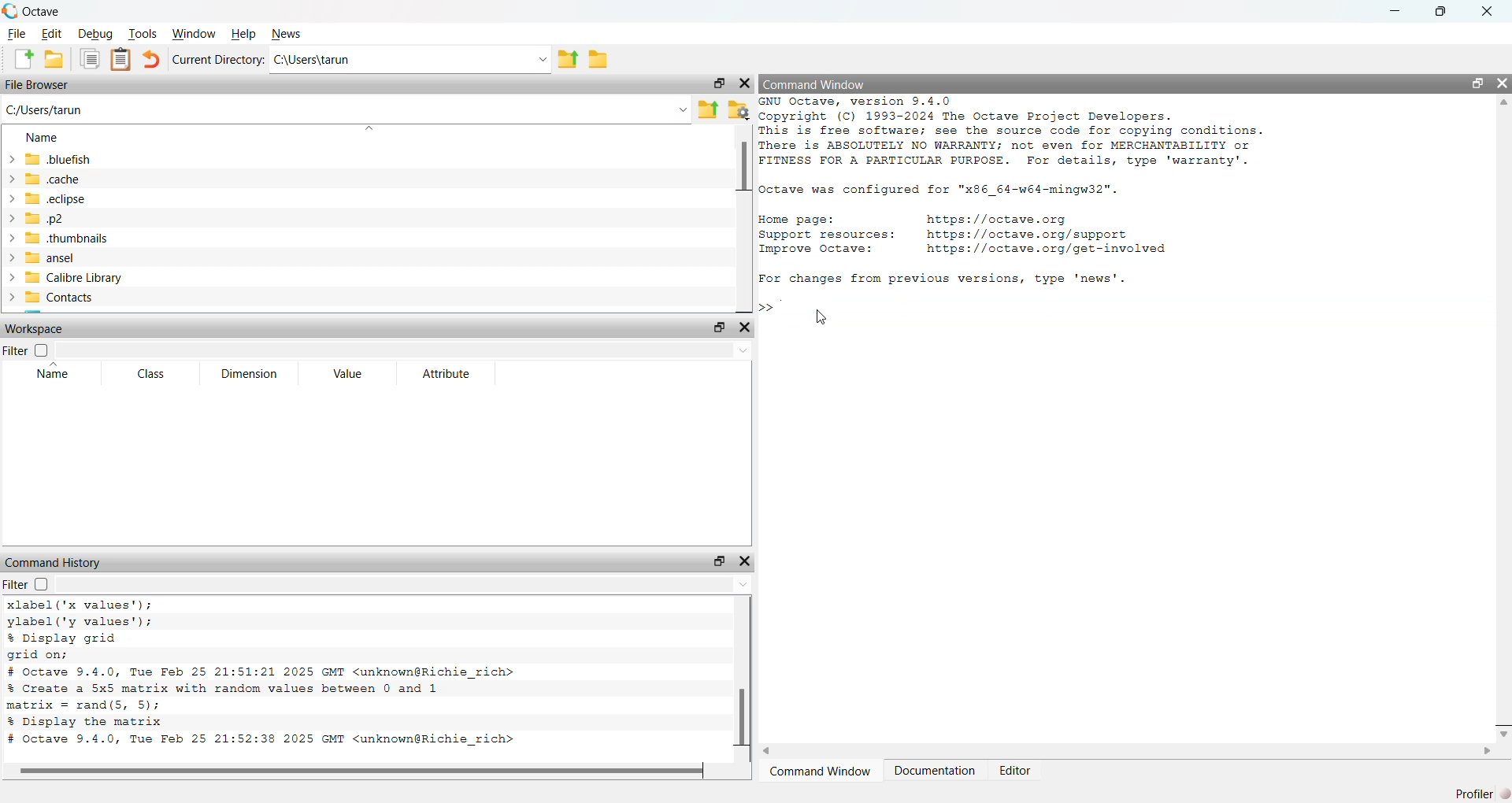  What do you see at coordinates (290, 32) in the screenshot?
I see `News` at bounding box center [290, 32].